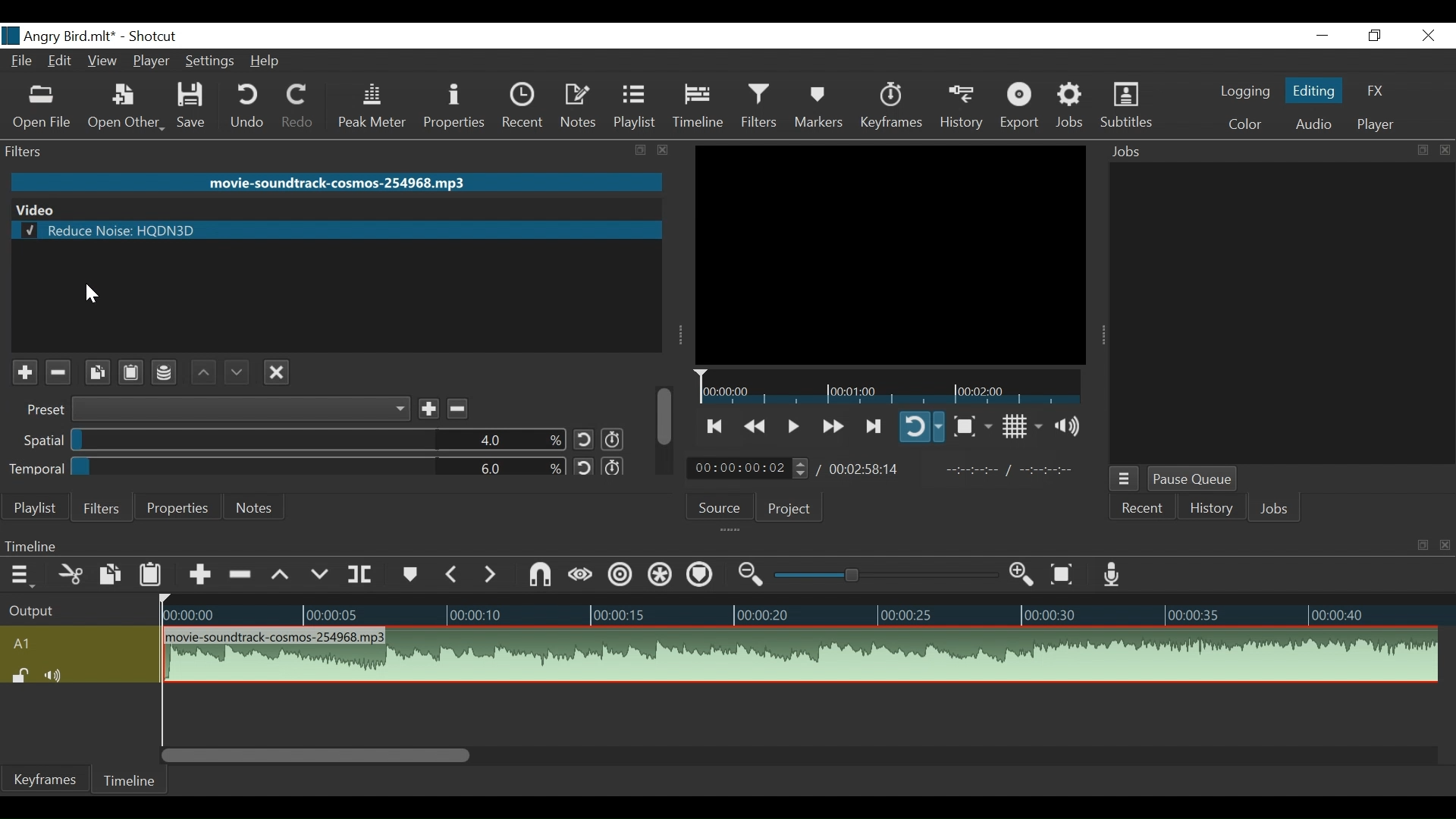  Describe the element at coordinates (459, 408) in the screenshot. I see `Remove` at that location.